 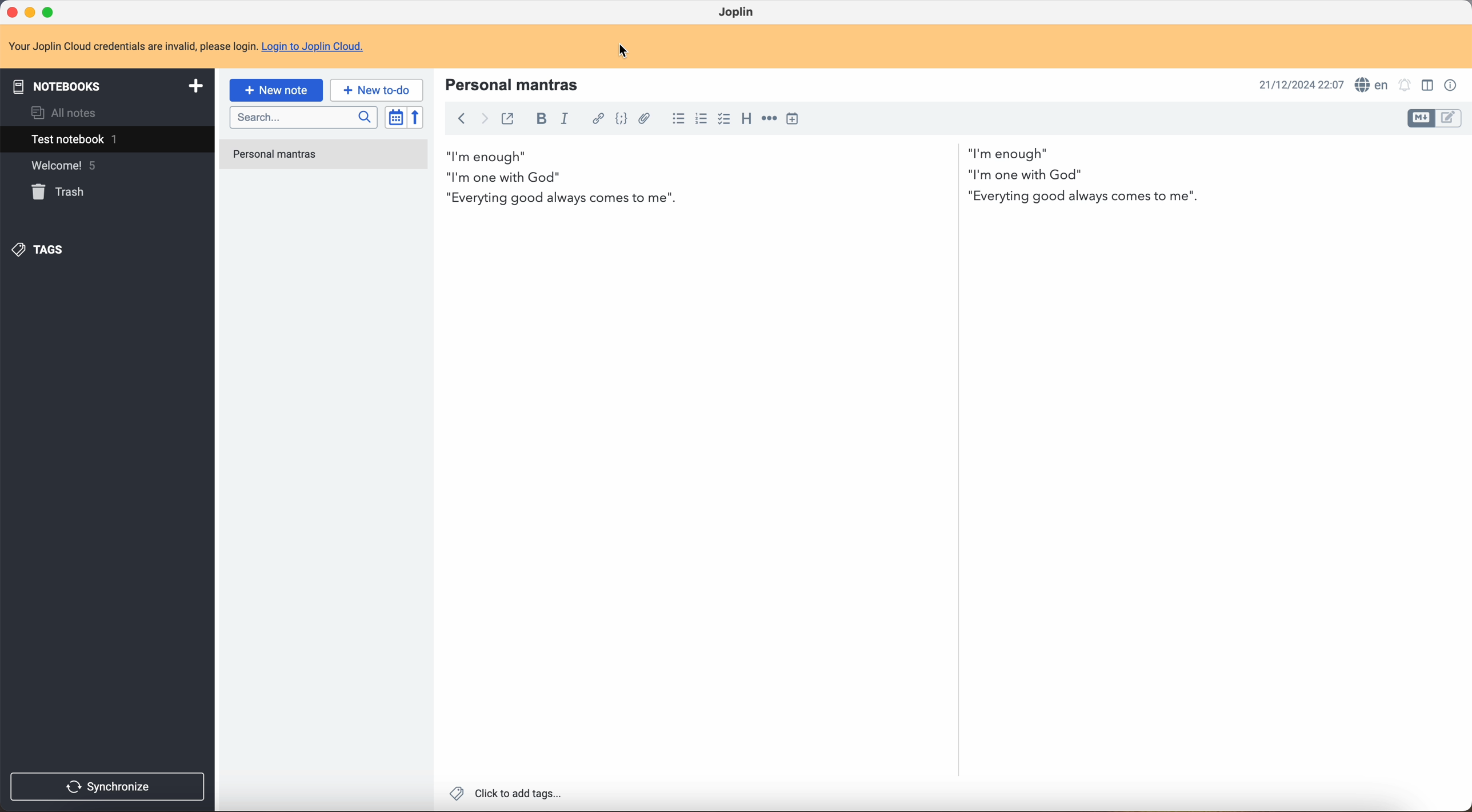 I want to click on toggle sort order field, so click(x=394, y=117).